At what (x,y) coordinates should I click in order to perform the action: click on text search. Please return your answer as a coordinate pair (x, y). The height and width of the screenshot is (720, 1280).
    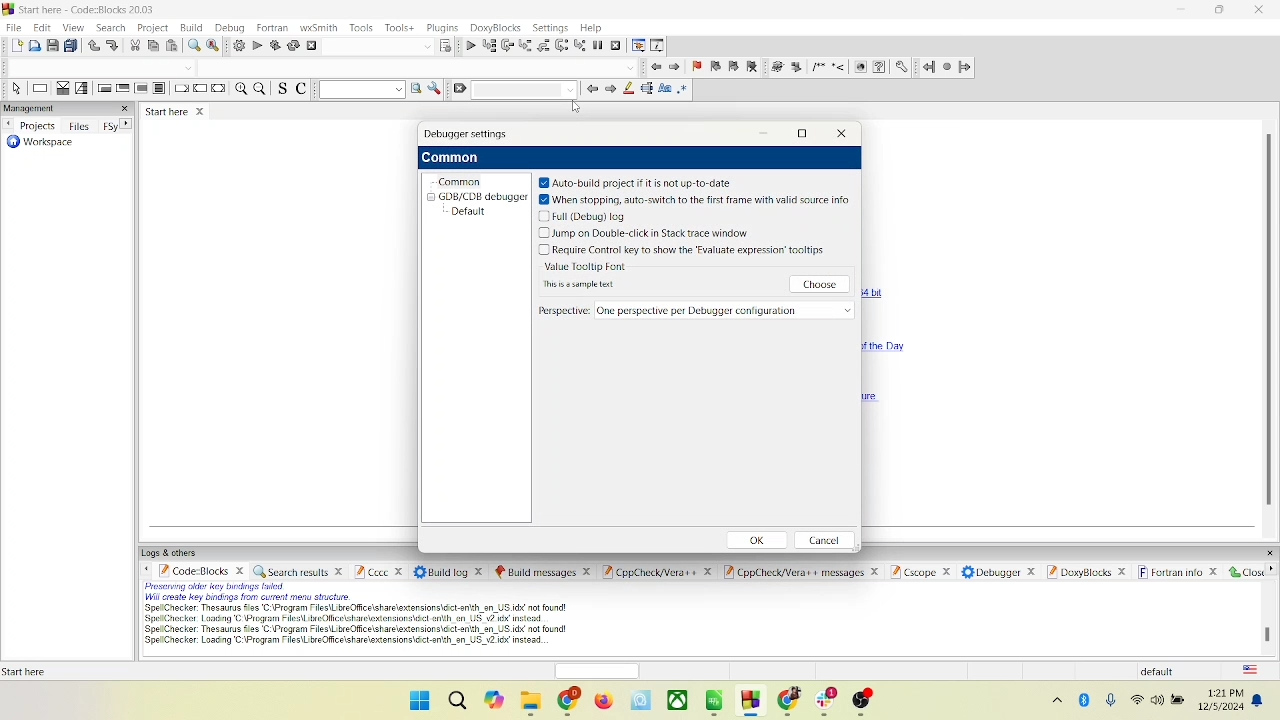
    Looking at the image, I should click on (358, 89).